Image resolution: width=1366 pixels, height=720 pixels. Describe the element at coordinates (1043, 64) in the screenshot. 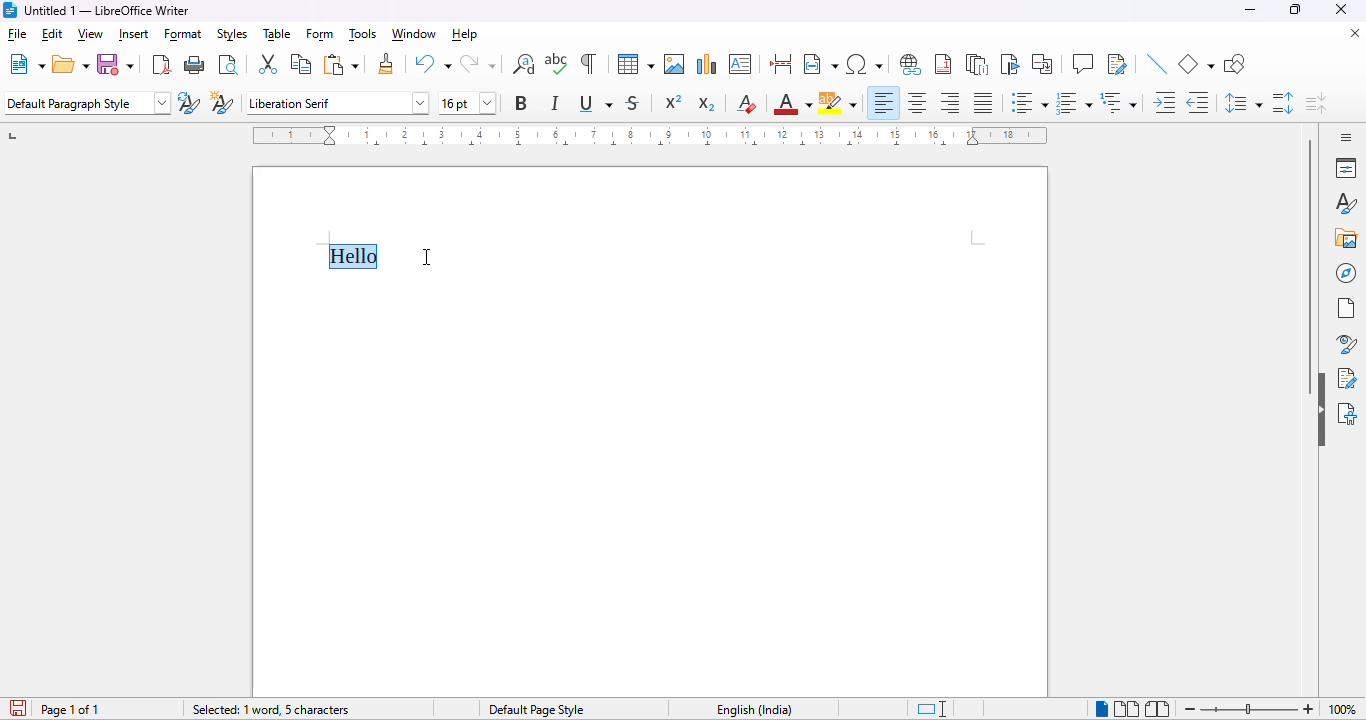

I see `insert cross-reference` at that location.